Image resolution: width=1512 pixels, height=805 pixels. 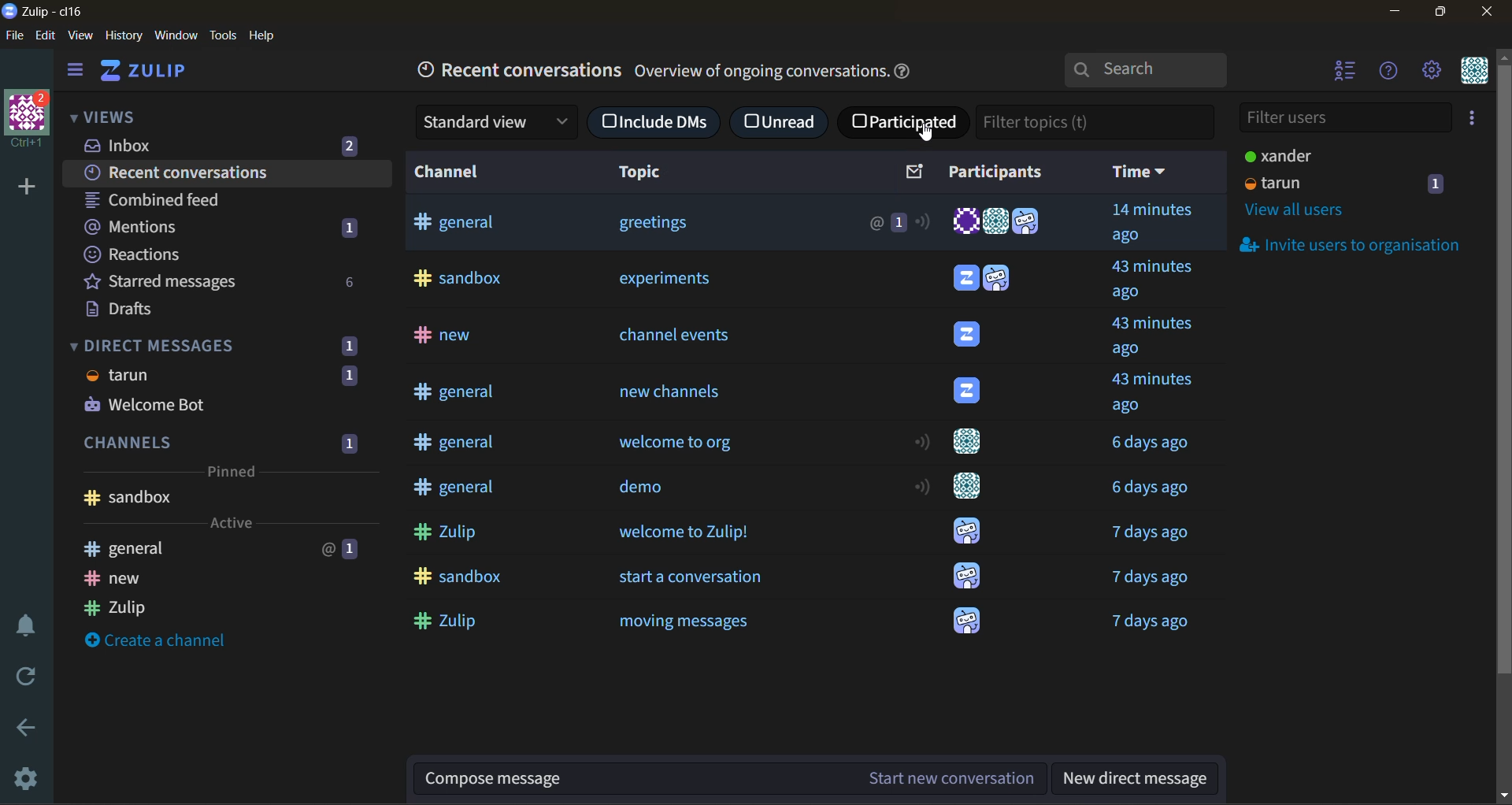 What do you see at coordinates (120, 117) in the screenshot?
I see `views` at bounding box center [120, 117].